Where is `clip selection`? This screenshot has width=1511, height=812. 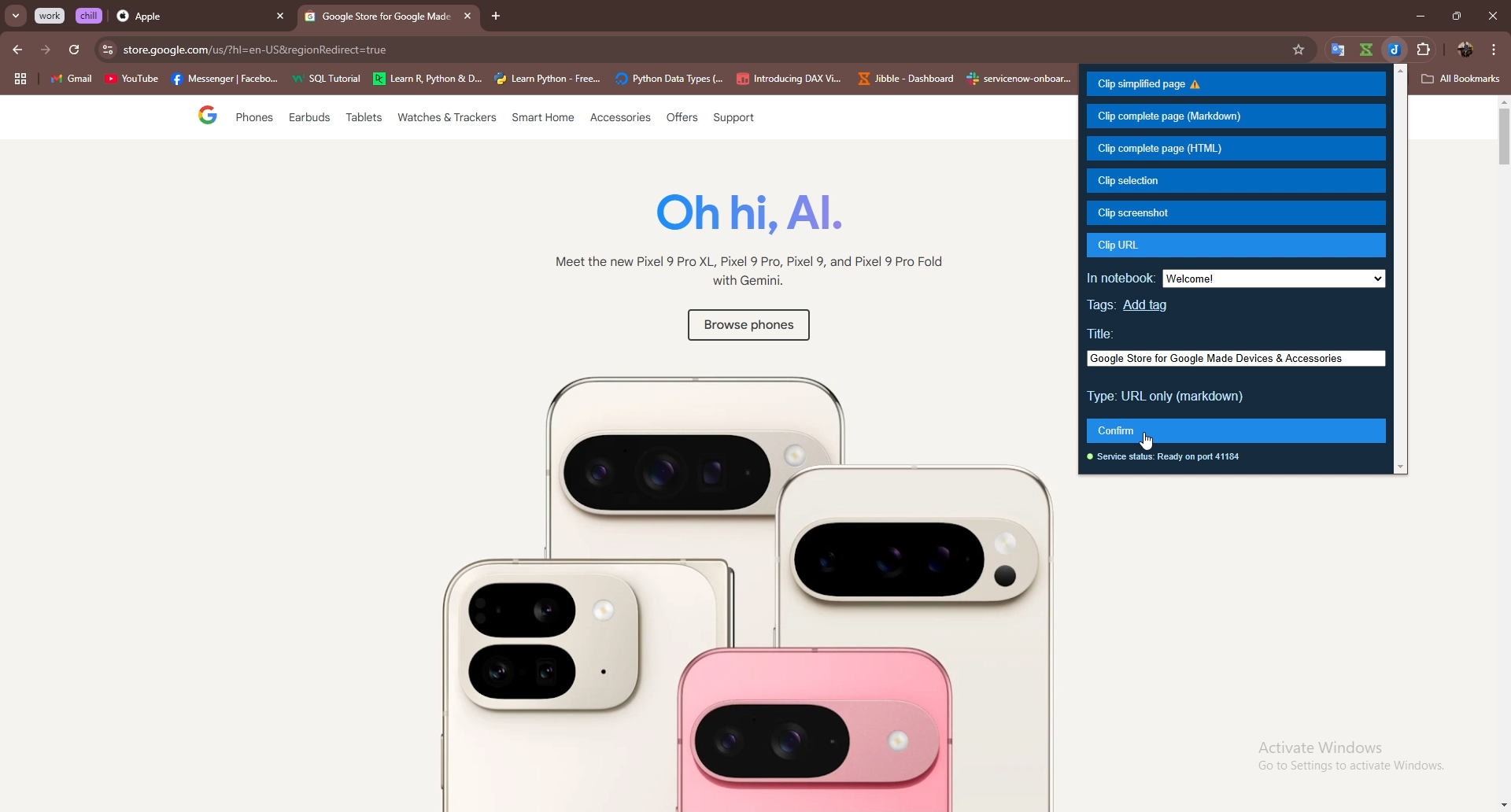 clip selection is located at coordinates (1235, 181).